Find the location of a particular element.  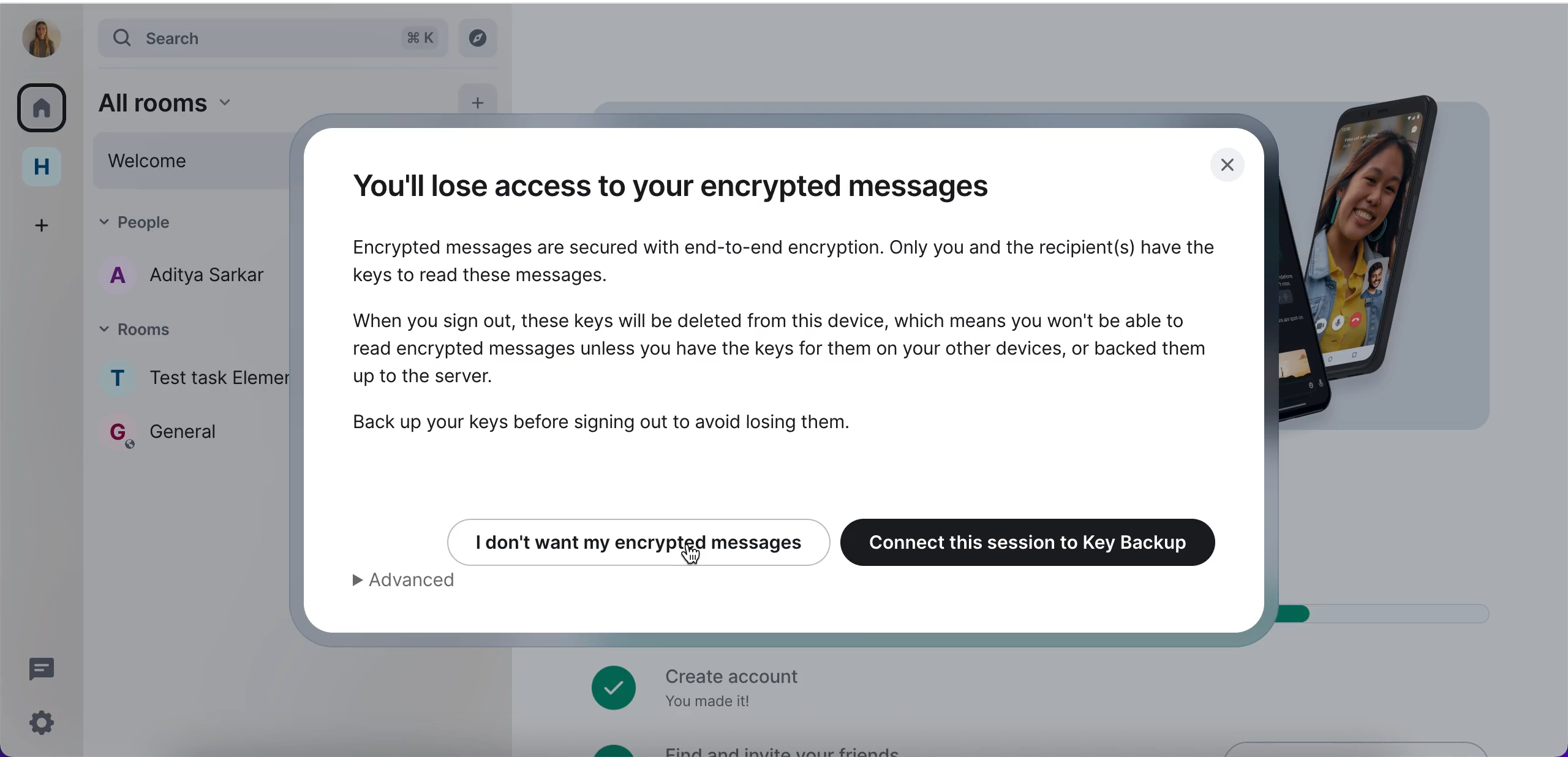

i don't want my encrypted messages is located at coordinates (625, 539).